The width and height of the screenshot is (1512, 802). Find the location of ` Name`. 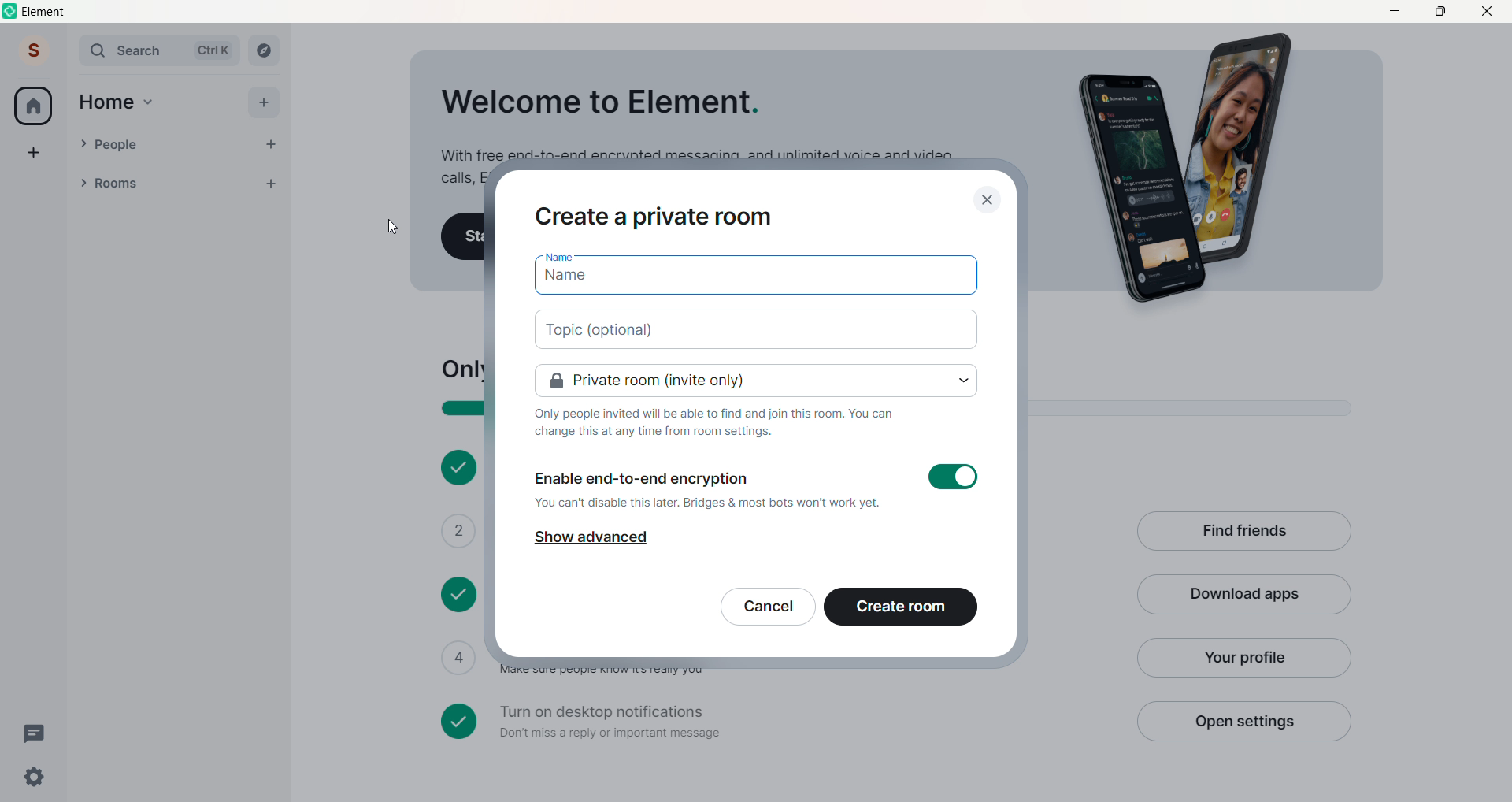

 Name is located at coordinates (558, 256).